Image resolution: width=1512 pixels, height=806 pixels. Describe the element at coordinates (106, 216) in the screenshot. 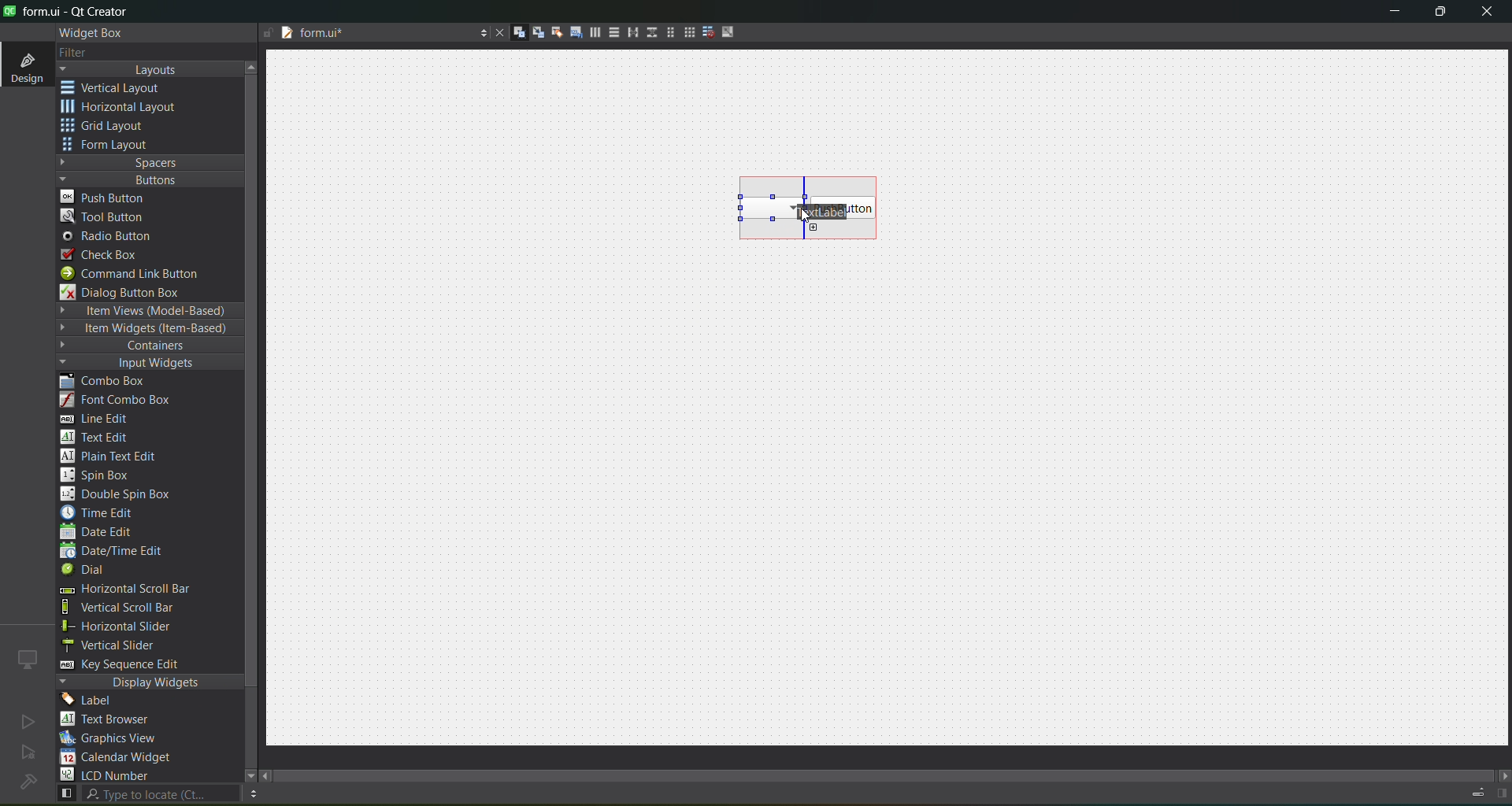

I see `tool` at that location.